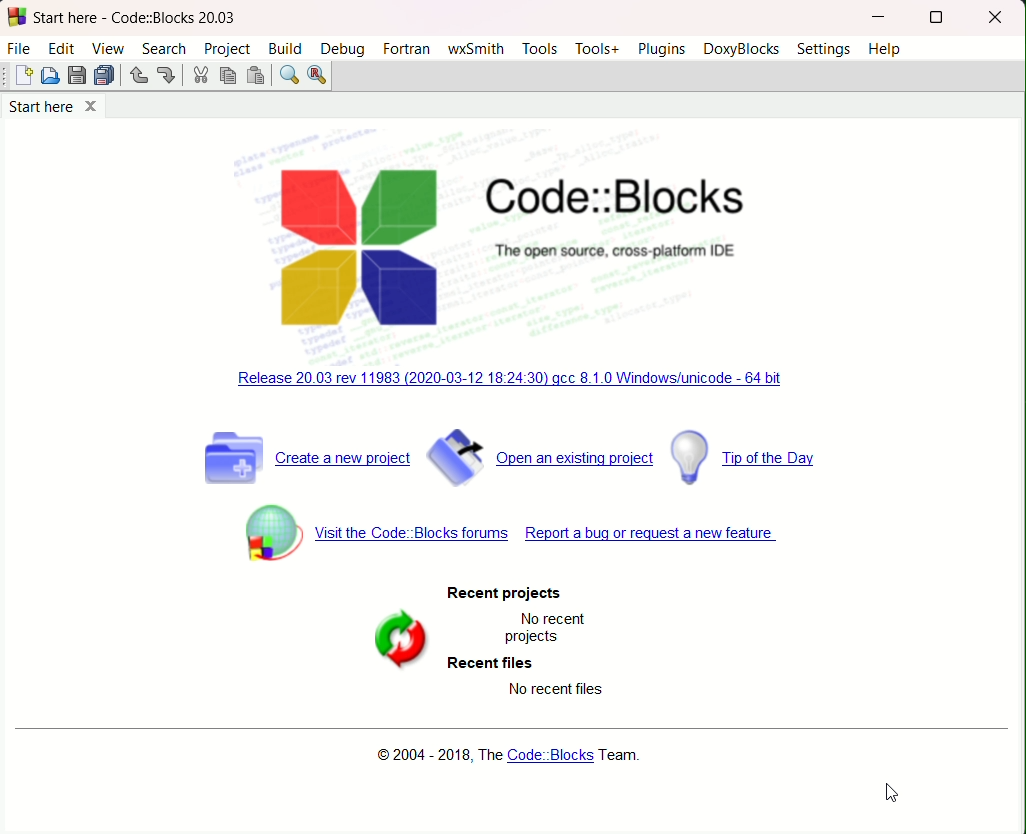 The image size is (1026, 834). I want to click on tools+, so click(596, 49).